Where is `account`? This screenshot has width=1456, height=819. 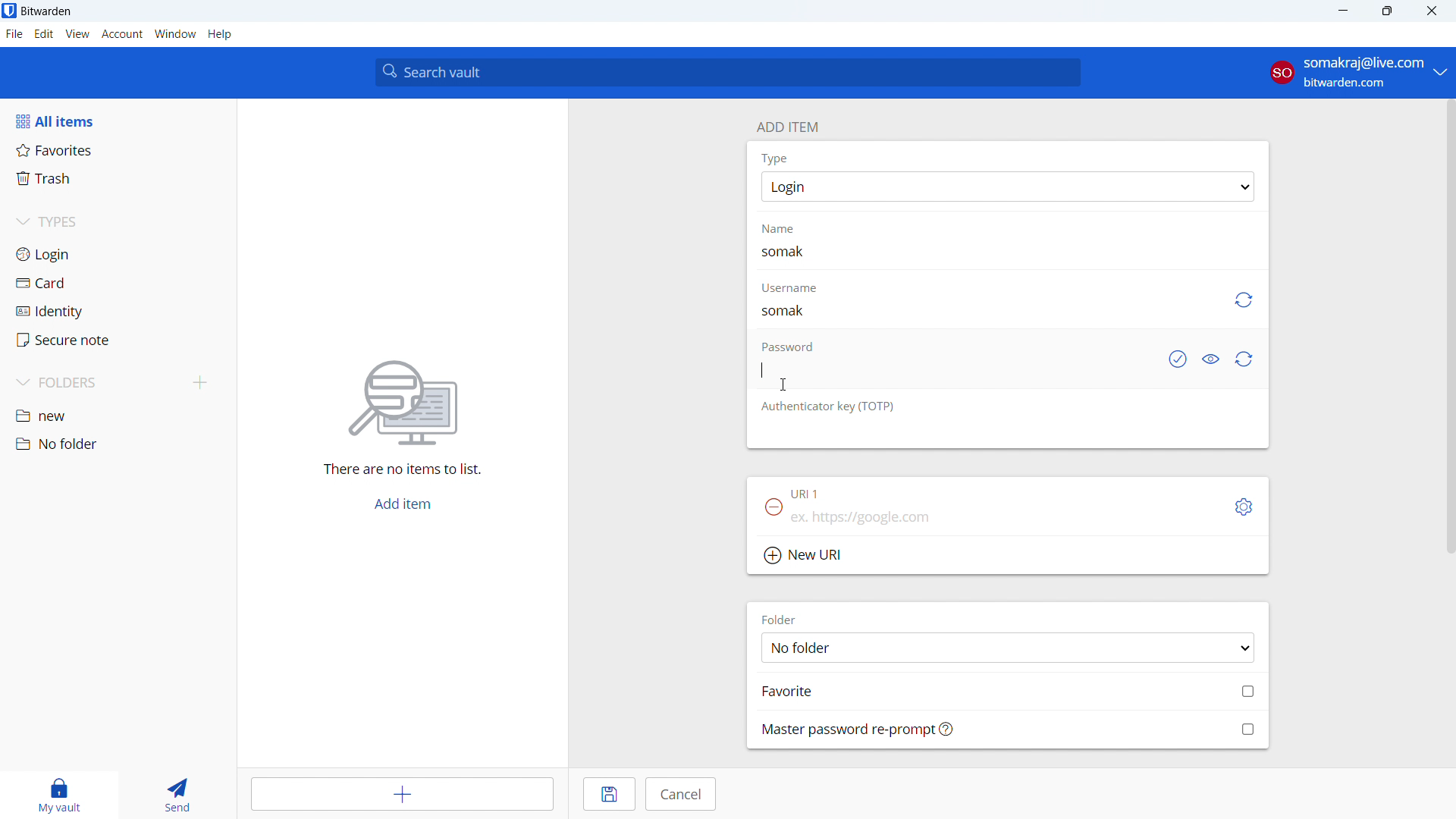
account is located at coordinates (122, 34).